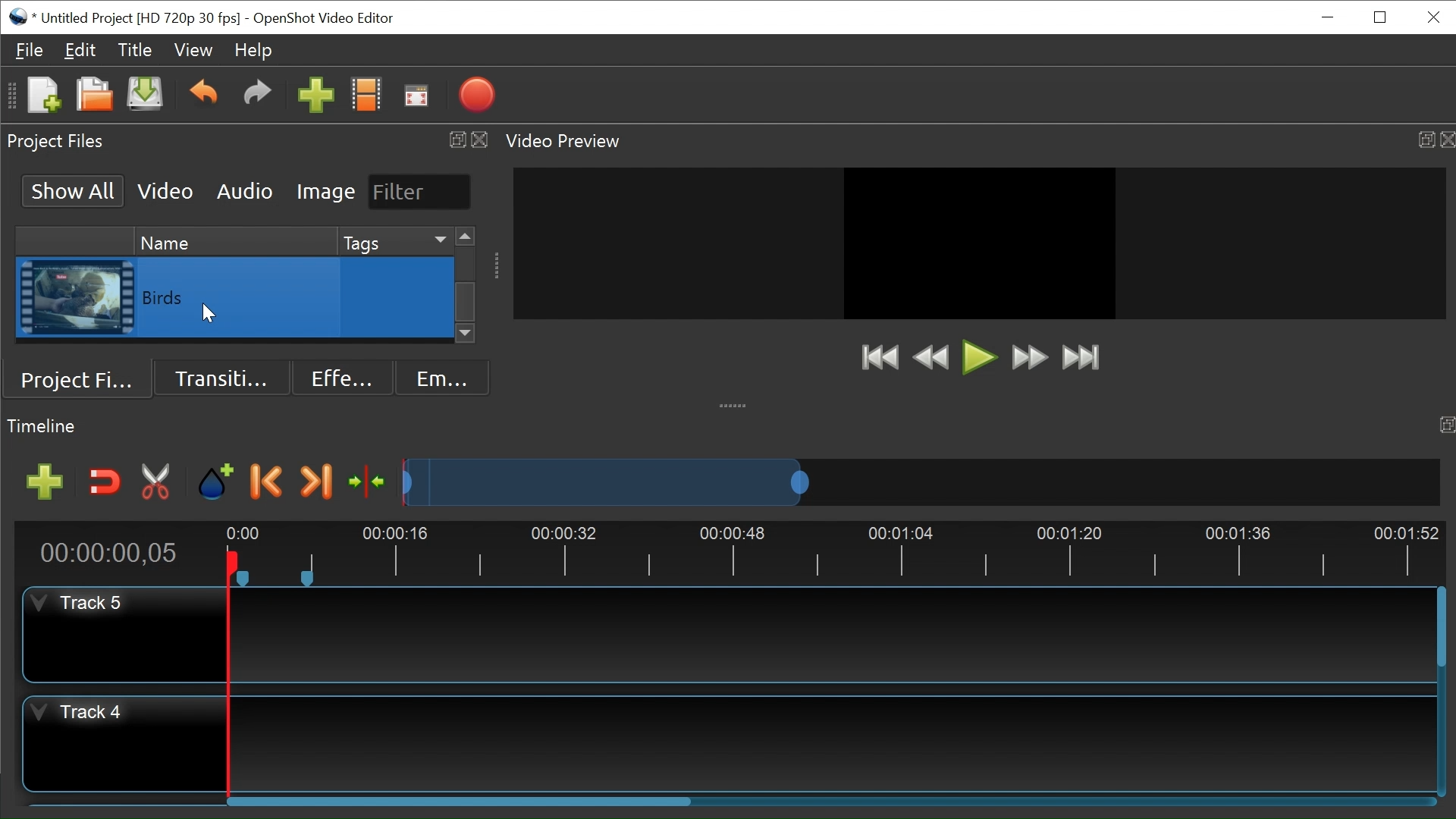 This screenshot has height=819, width=1456. I want to click on Jump to End, so click(1081, 359).